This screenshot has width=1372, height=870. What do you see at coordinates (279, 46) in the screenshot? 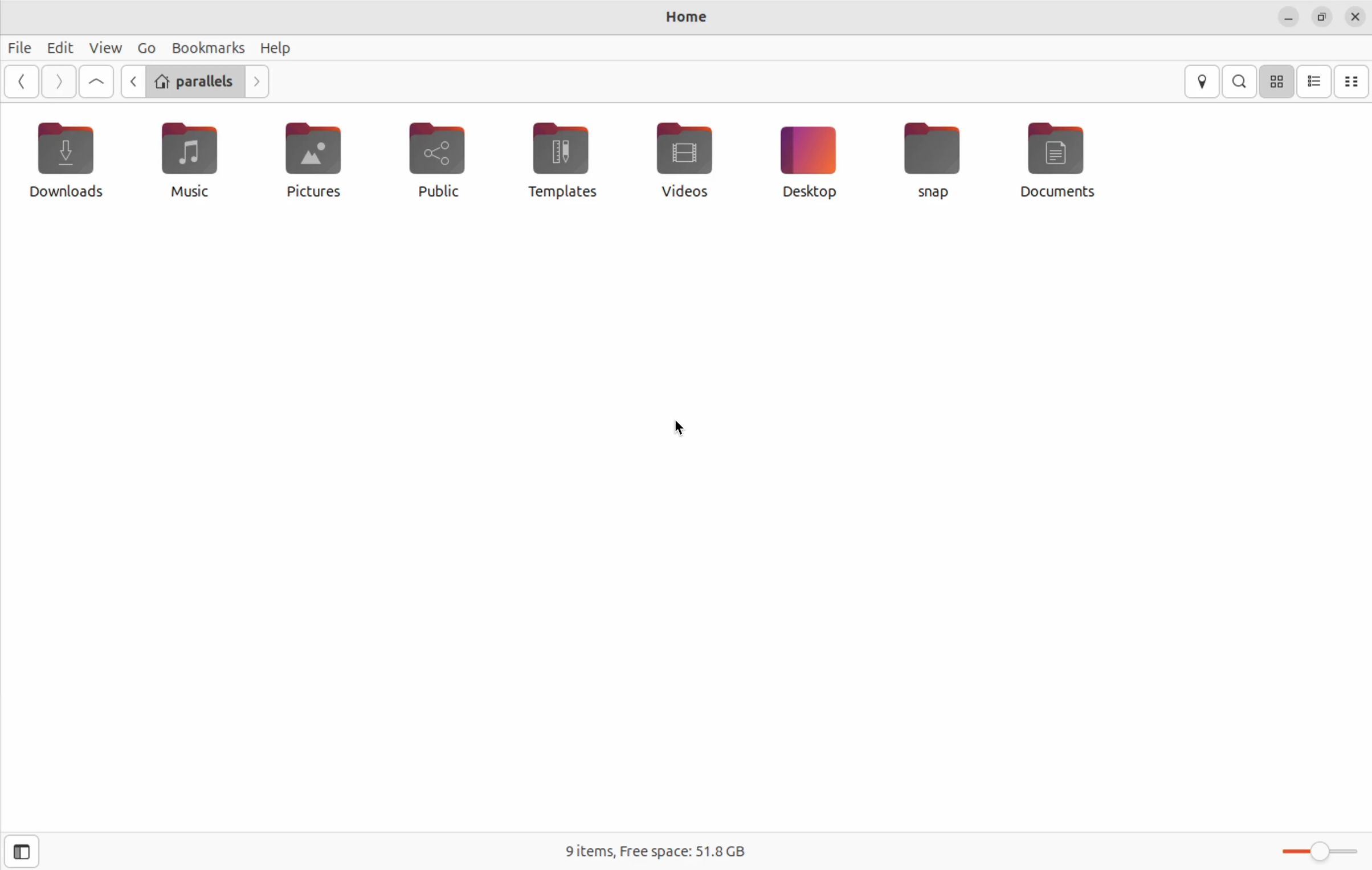
I see `Help` at bounding box center [279, 46].